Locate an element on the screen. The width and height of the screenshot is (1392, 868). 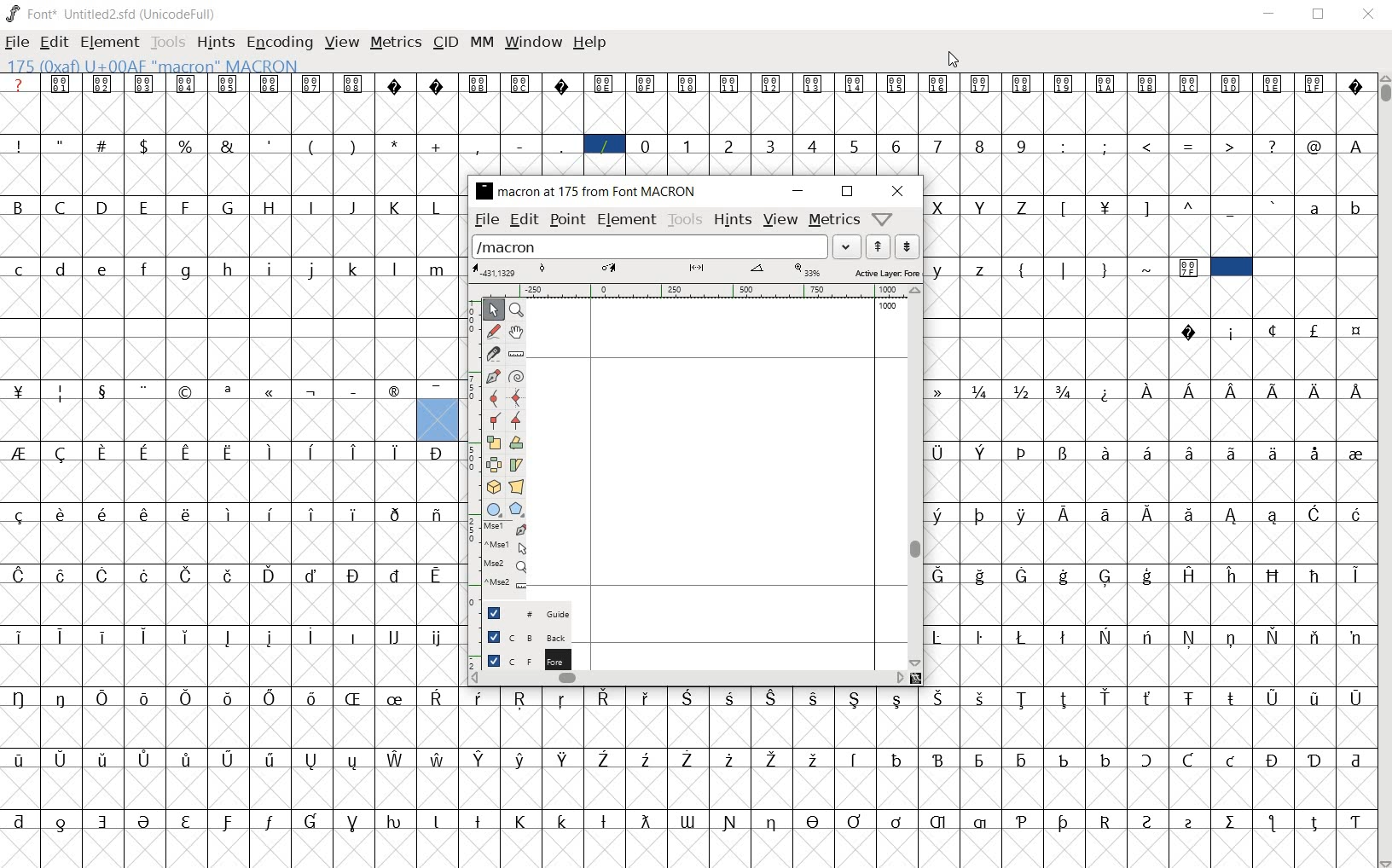
Symbol is located at coordinates (231, 451).